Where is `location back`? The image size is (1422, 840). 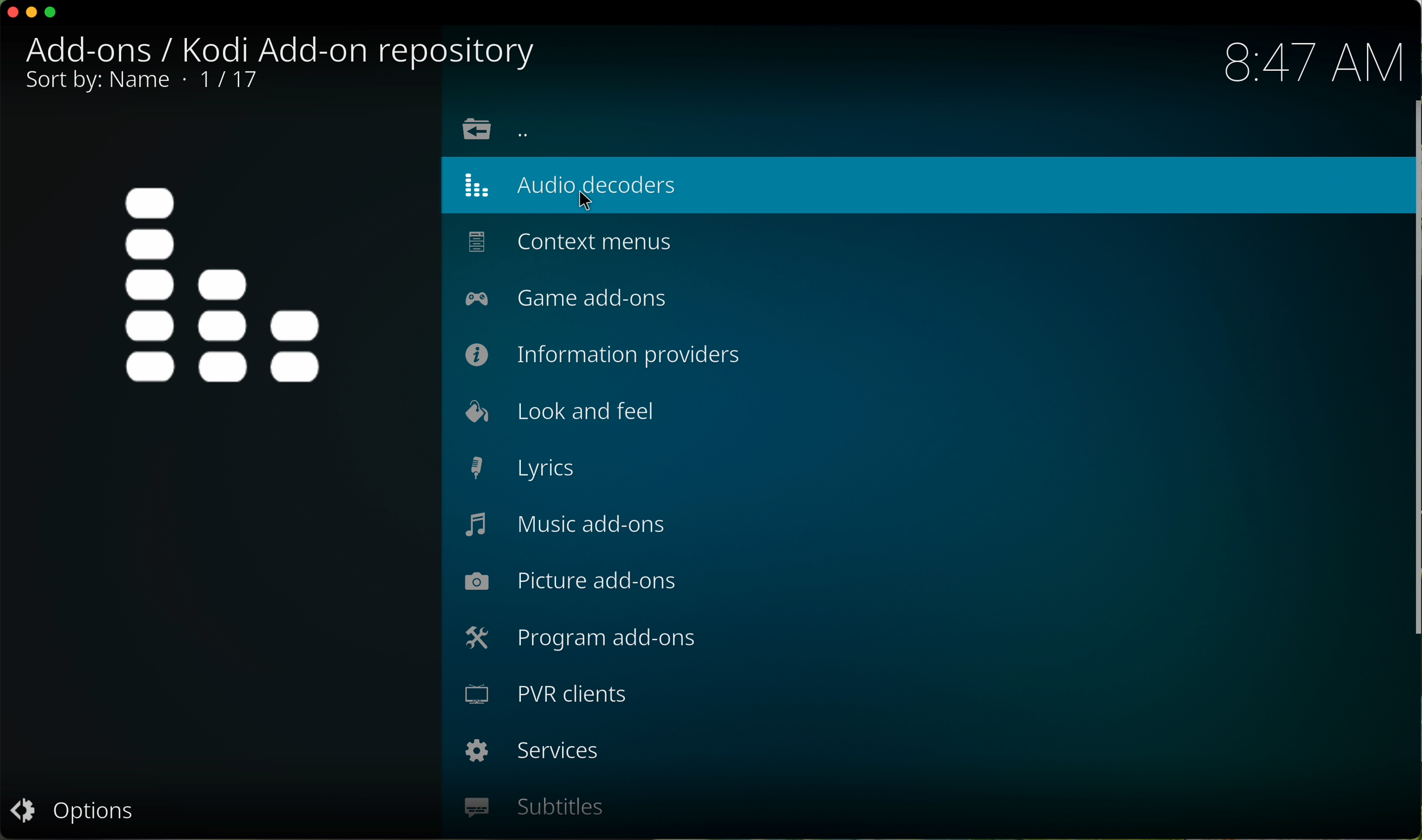
location back is located at coordinates (499, 128).